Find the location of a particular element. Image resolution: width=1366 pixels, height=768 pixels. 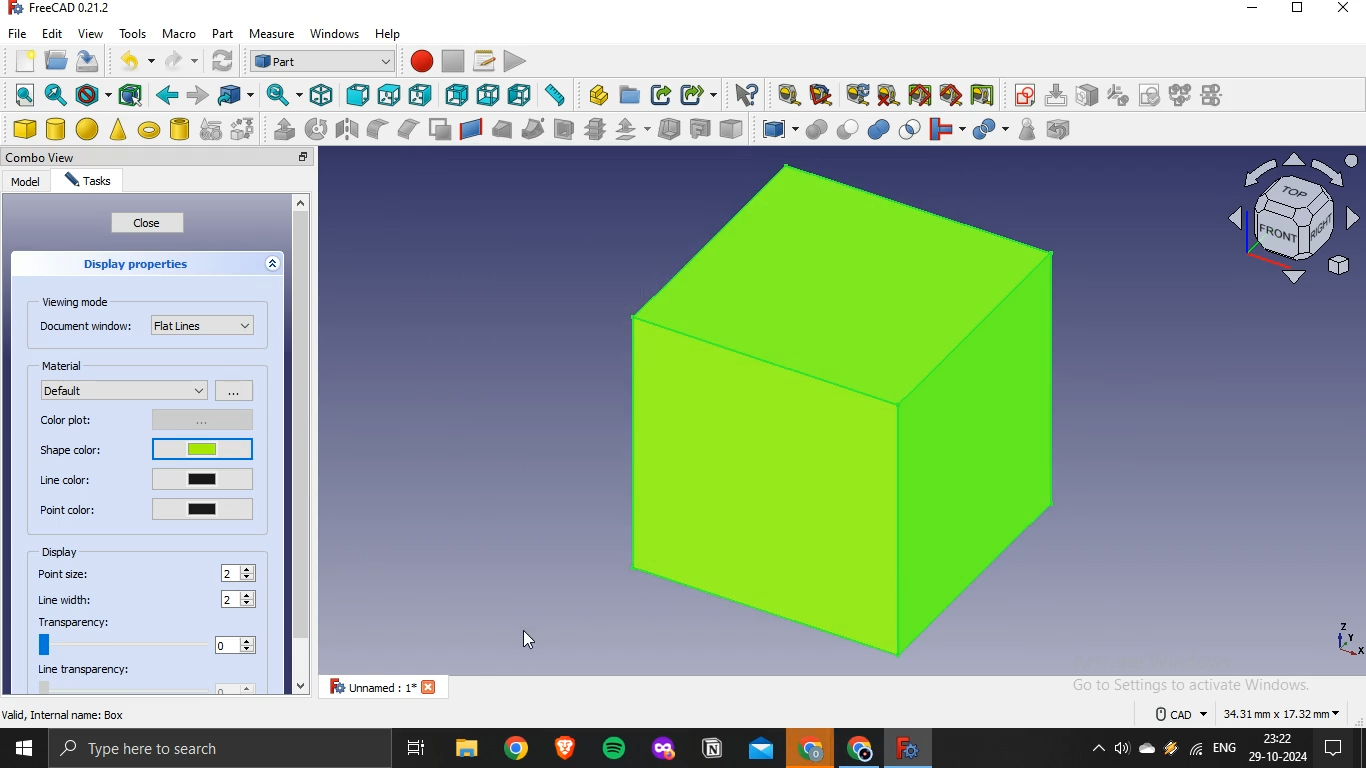

workbench is located at coordinates (322, 60).